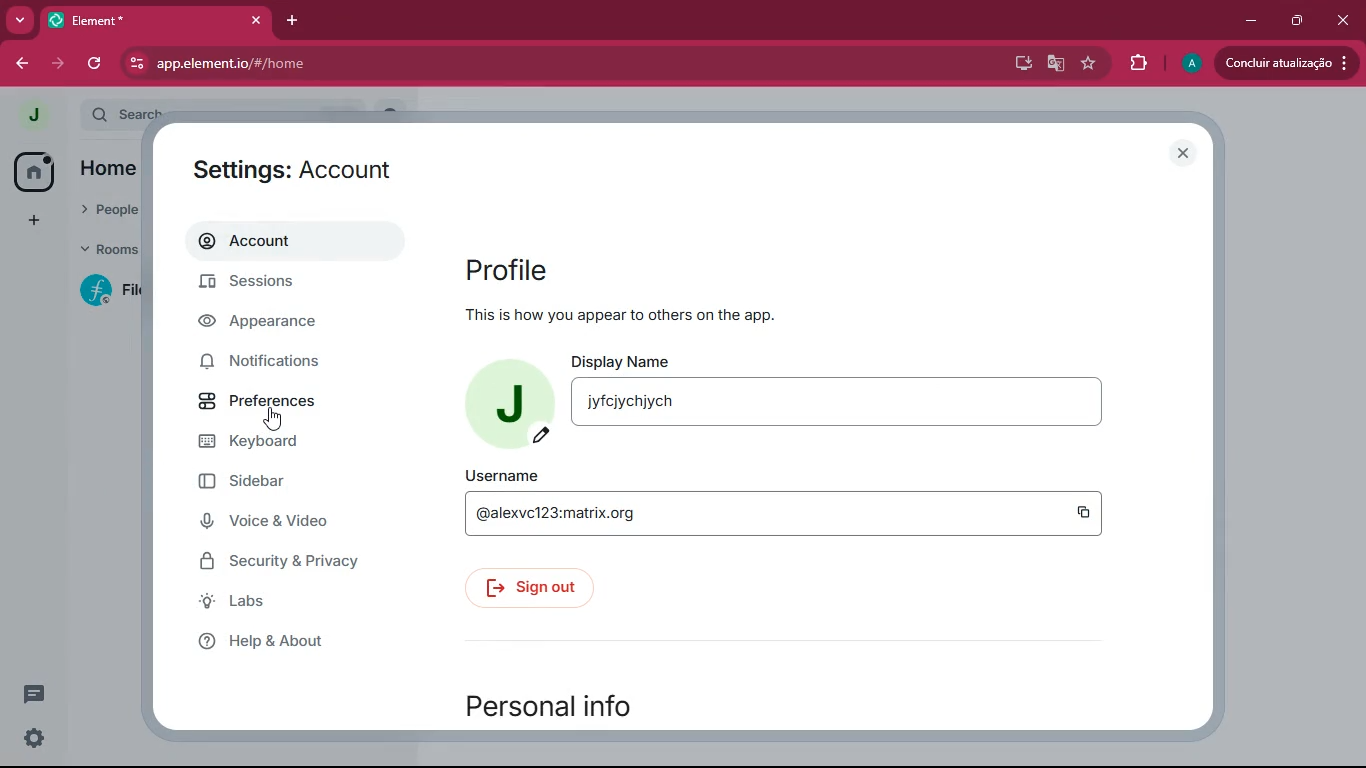  What do you see at coordinates (22, 64) in the screenshot?
I see `back` at bounding box center [22, 64].